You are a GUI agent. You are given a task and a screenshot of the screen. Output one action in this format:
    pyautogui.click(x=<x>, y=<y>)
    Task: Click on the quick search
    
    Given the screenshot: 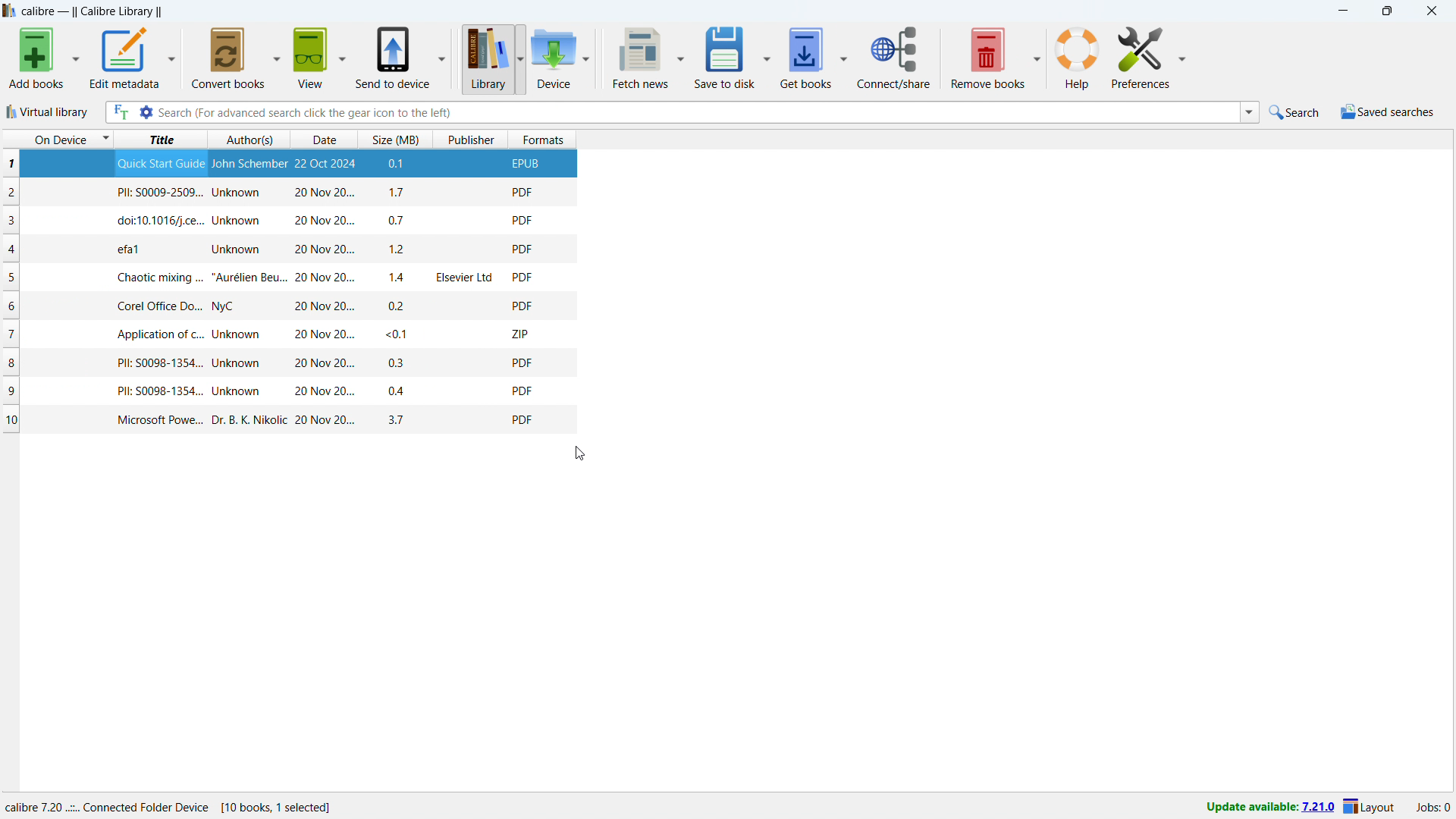 What is the action you would take?
    pyautogui.click(x=1294, y=112)
    